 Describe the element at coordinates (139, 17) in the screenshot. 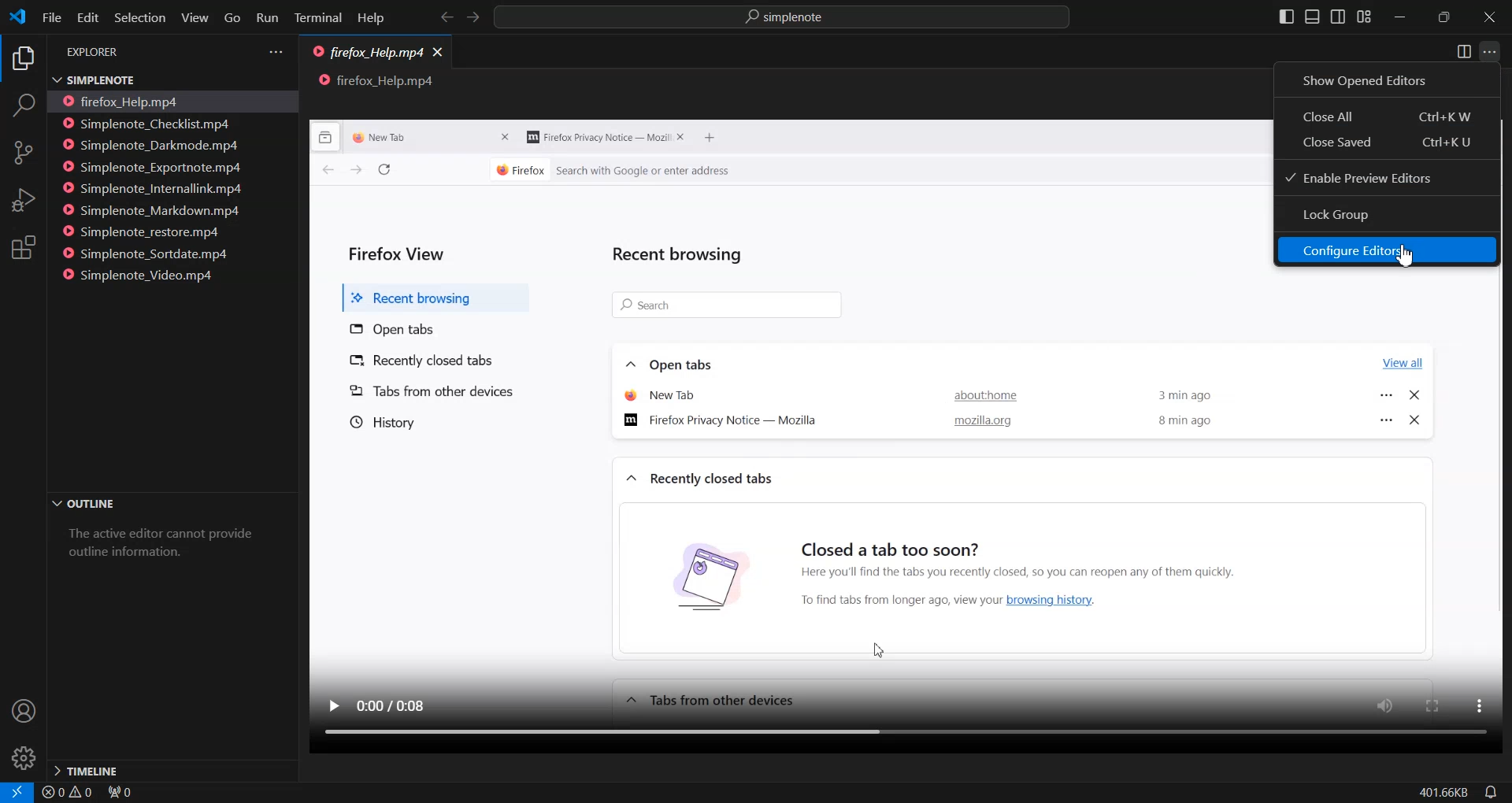

I see `Selection` at that location.